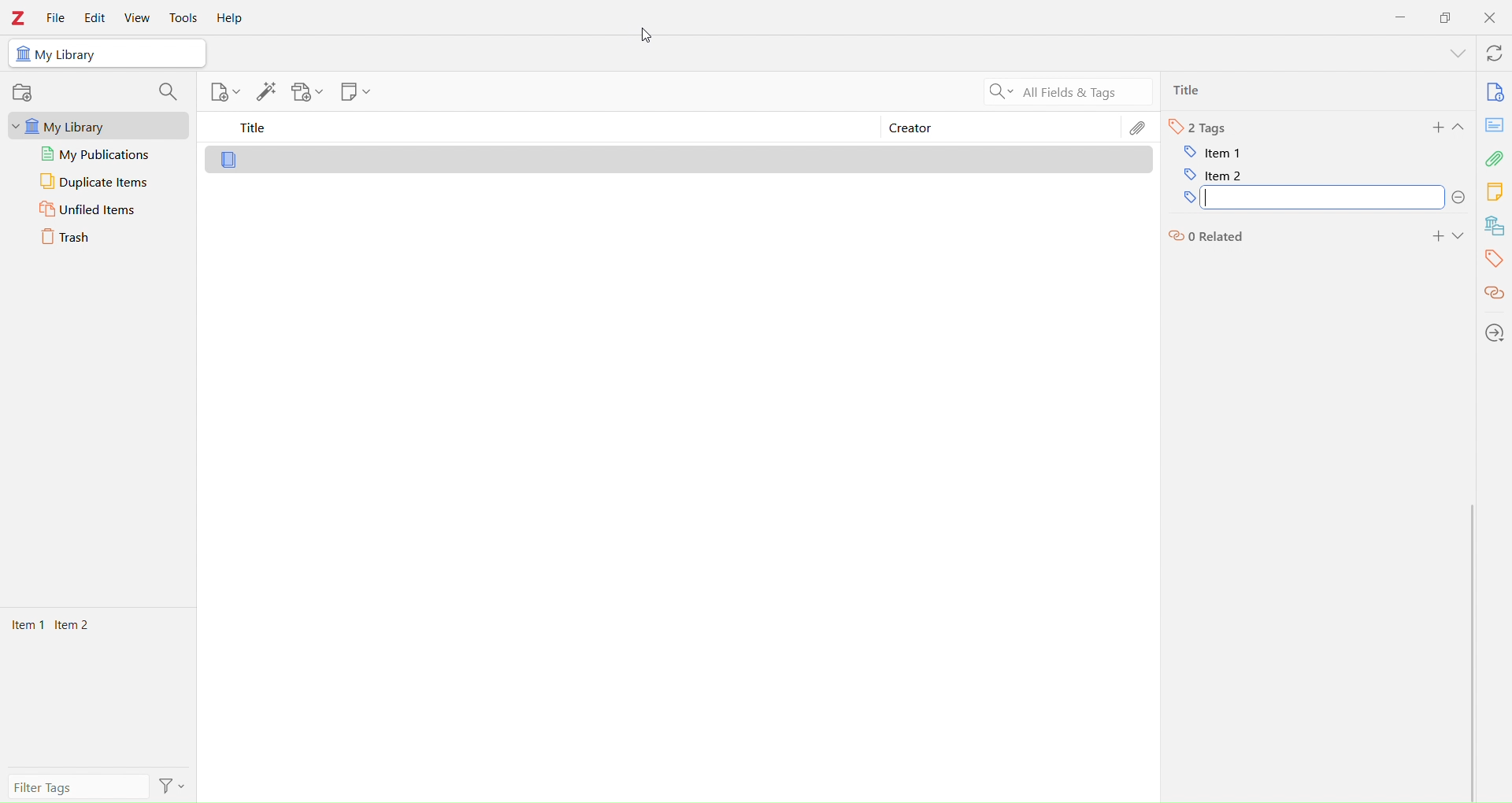  What do you see at coordinates (107, 54) in the screenshot?
I see `My Library` at bounding box center [107, 54].